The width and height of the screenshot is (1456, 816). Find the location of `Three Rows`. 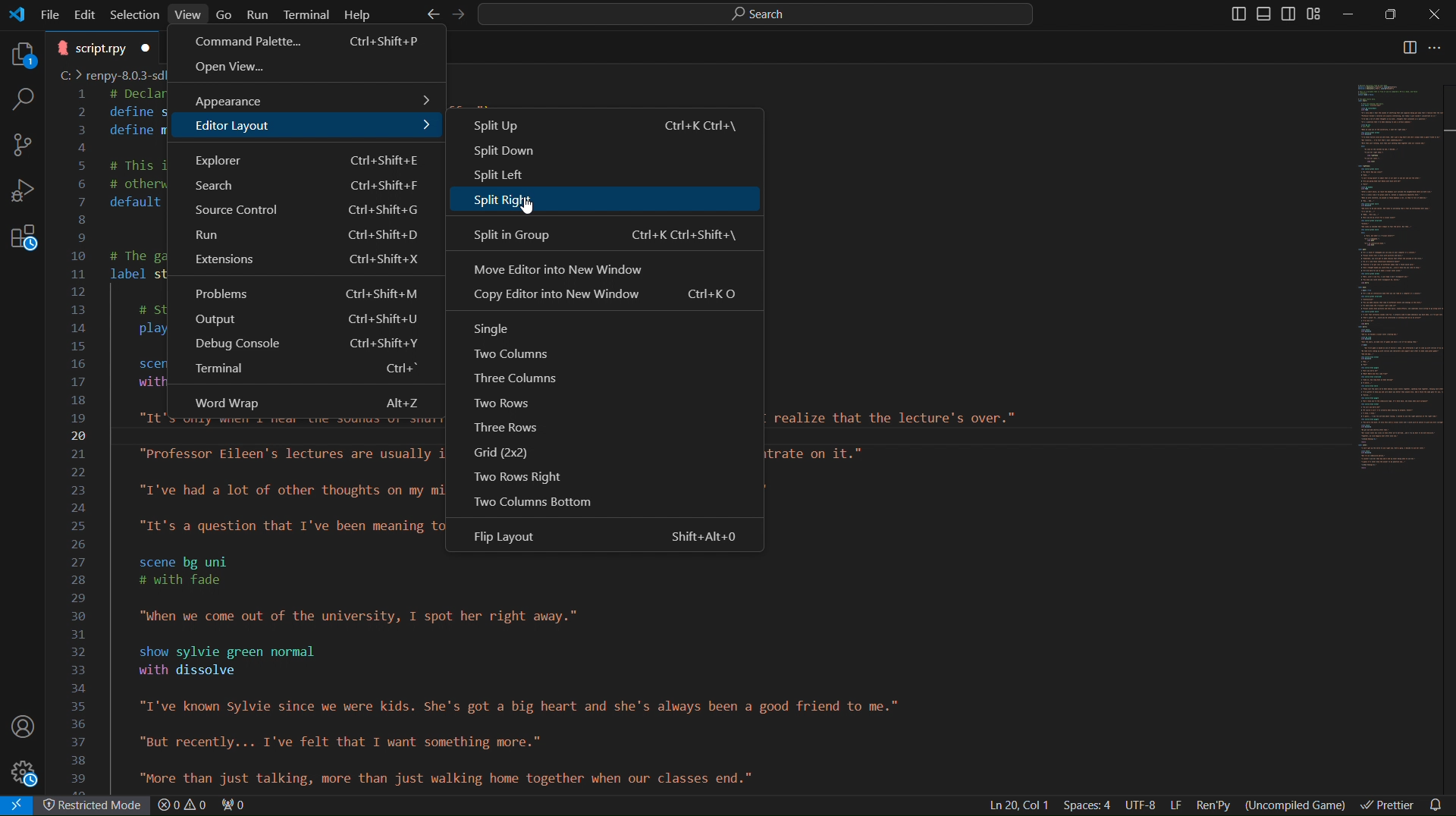

Three Rows is located at coordinates (517, 428).